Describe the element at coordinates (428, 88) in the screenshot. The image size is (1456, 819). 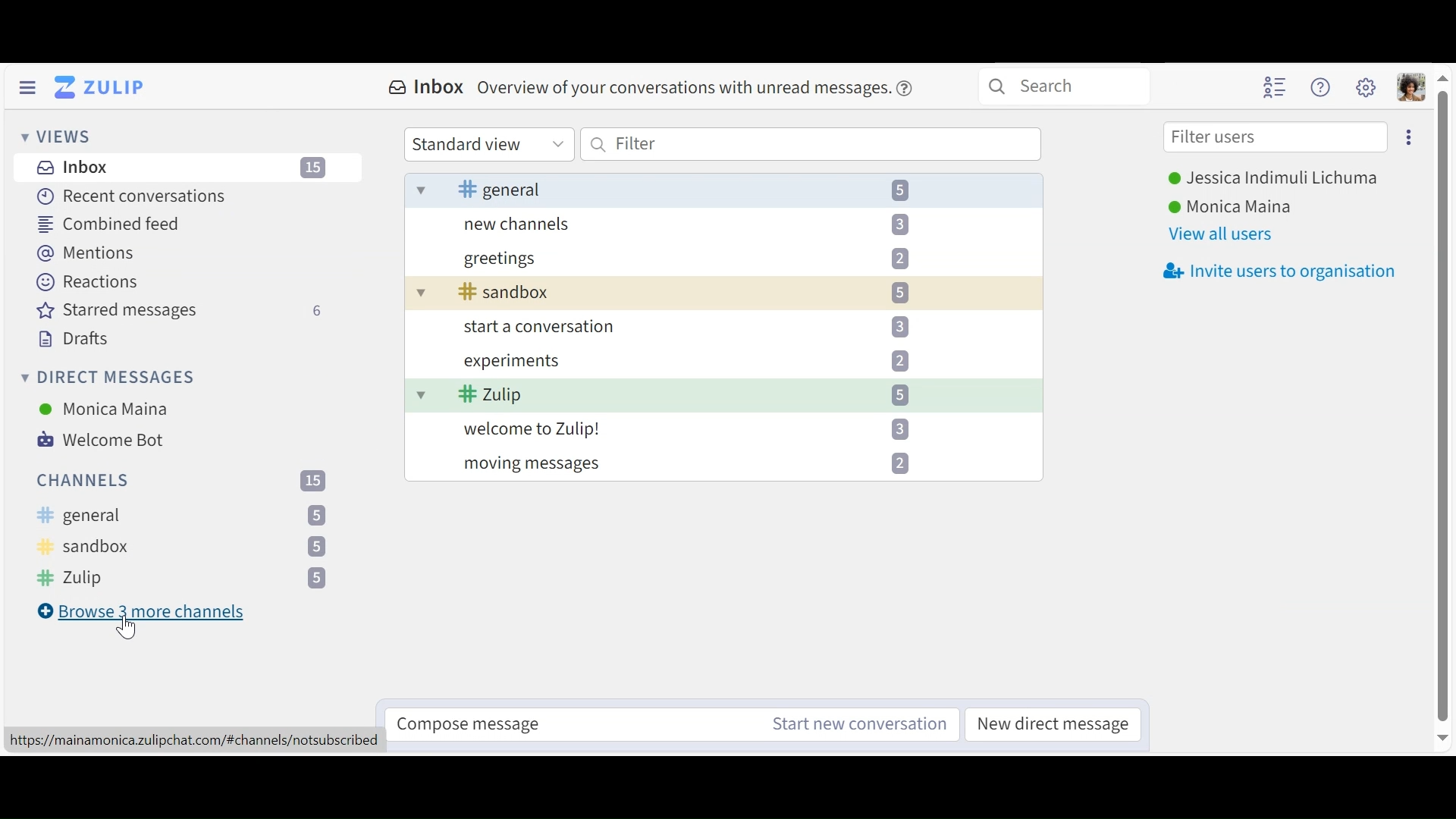
I see `Inbox` at that location.